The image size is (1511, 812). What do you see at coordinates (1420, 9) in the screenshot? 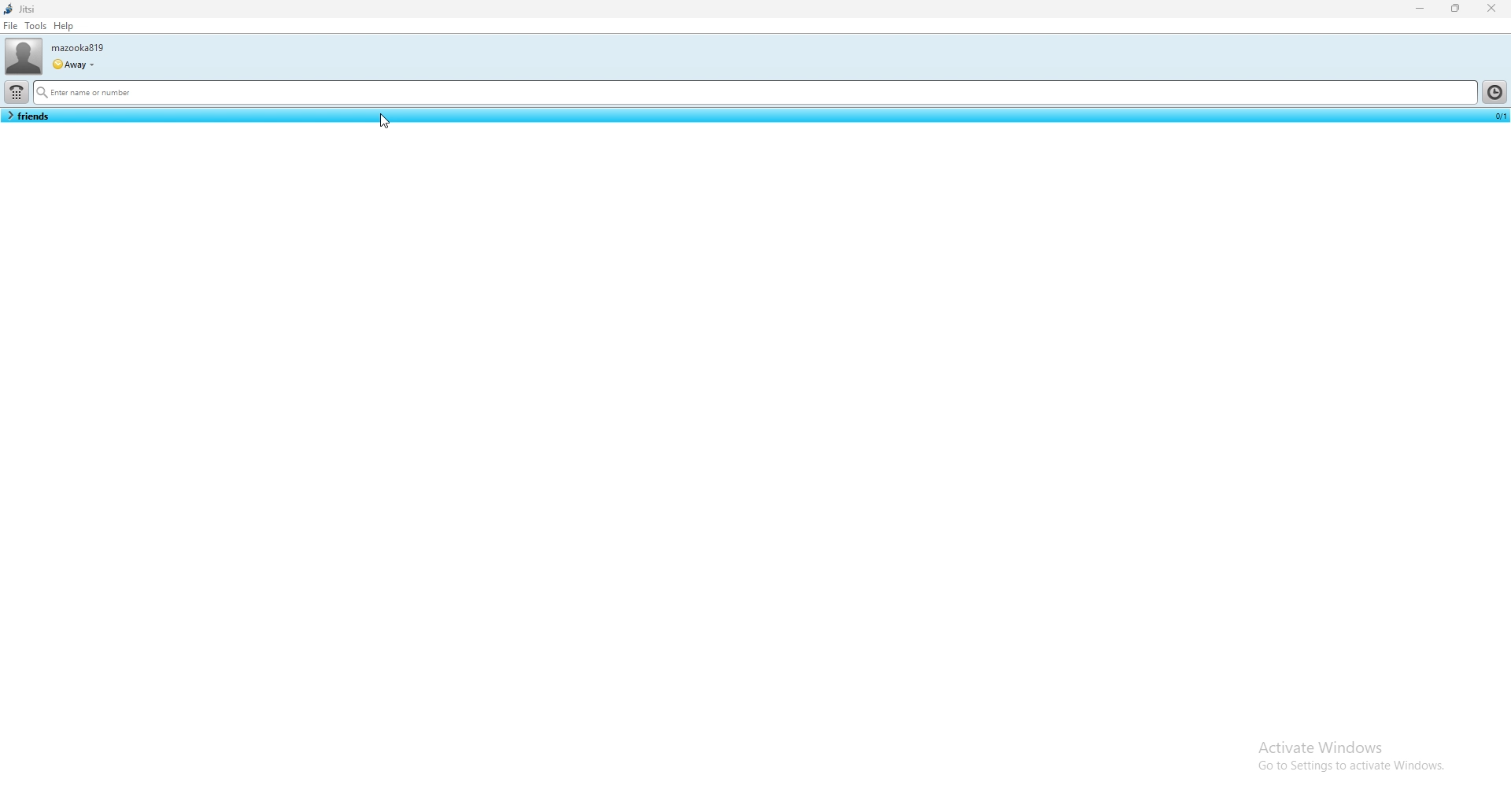
I see `minimize` at bounding box center [1420, 9].